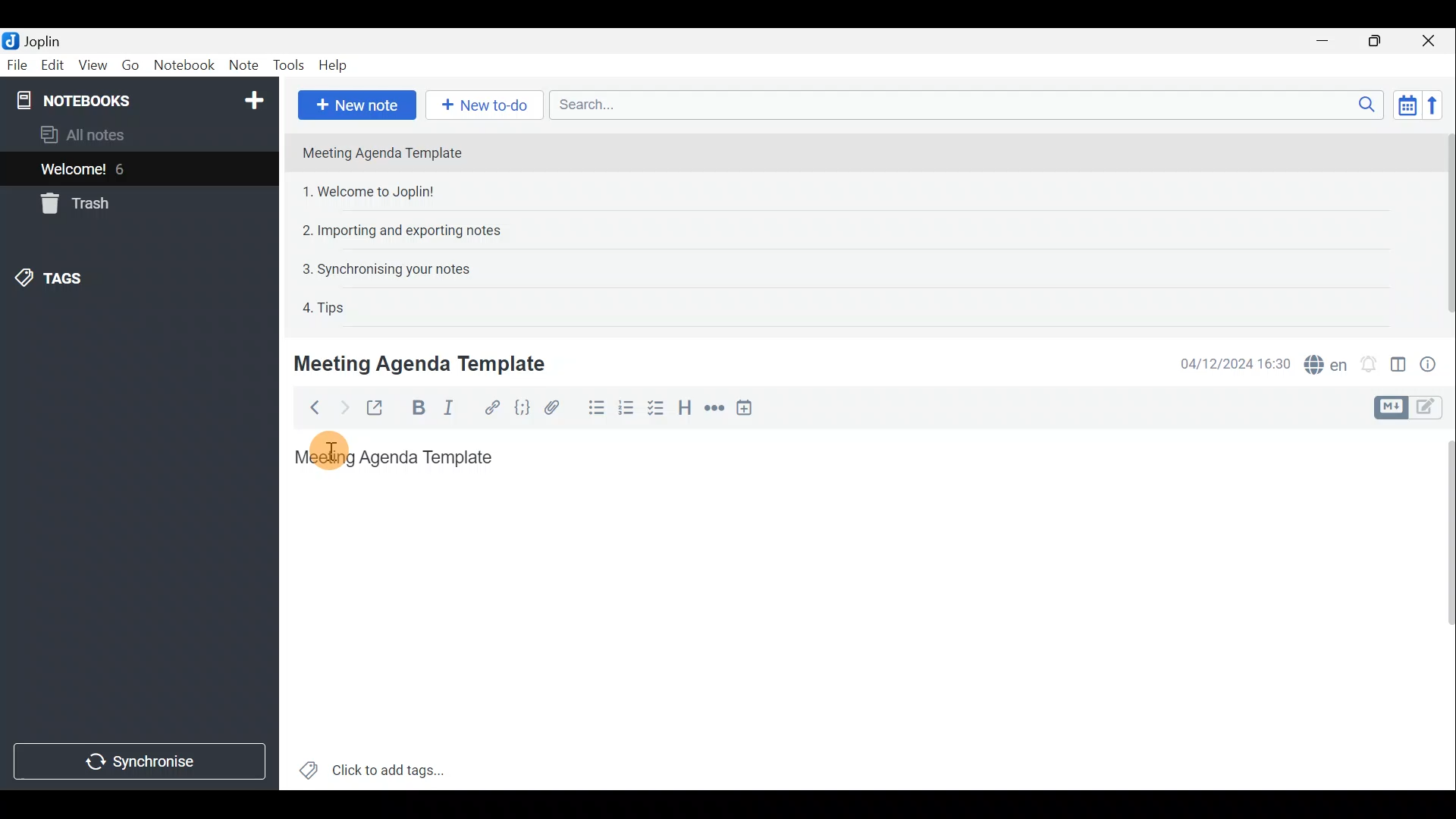  Describe the element at coordinates (386, 268) in the screenshot. I see `3. Synchronising your notes` at that location.